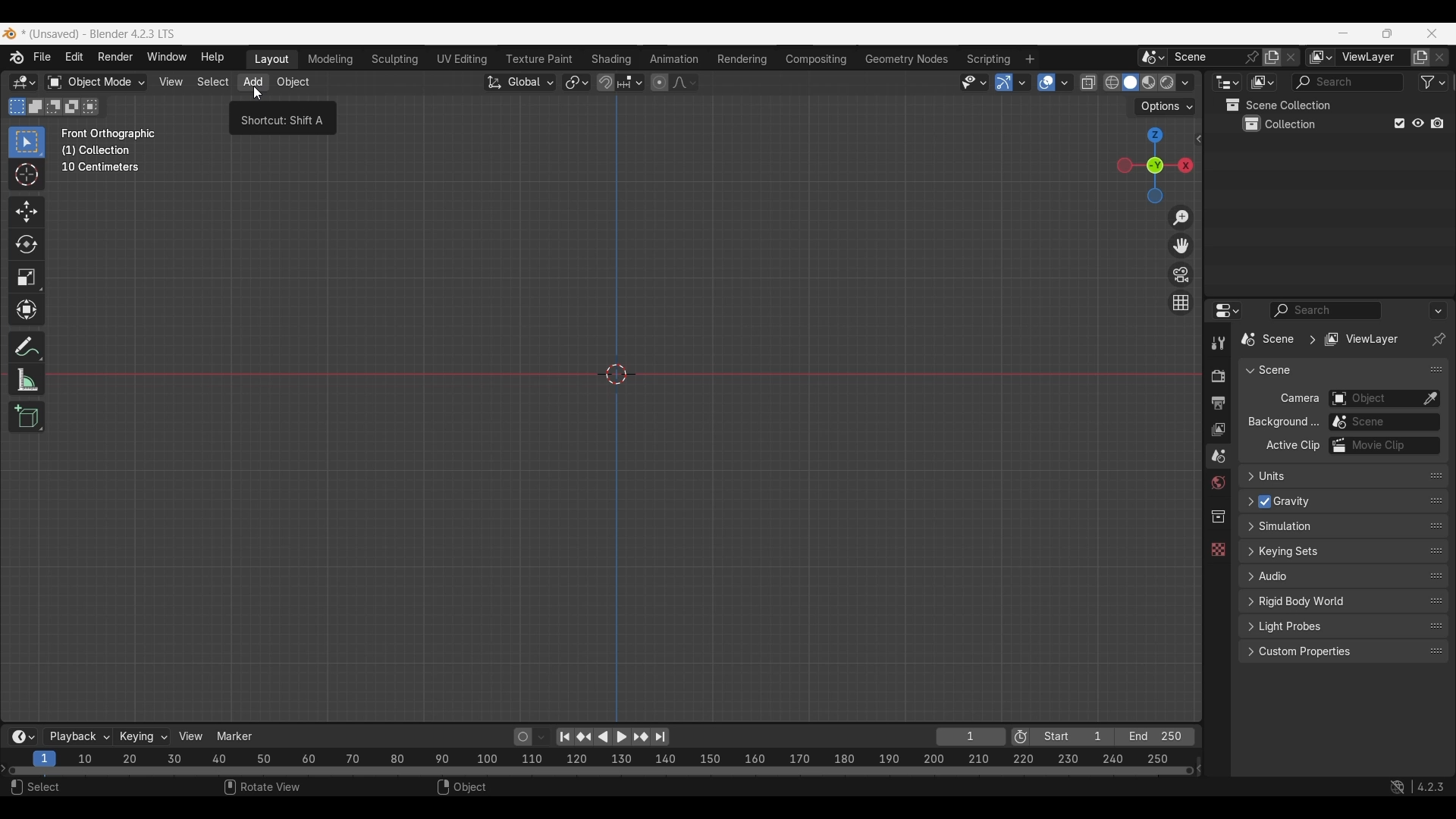  What do you see at coordinates (523, 737) in the screenshot?
I see `Auto keying ` at bounding box center [523, 737].